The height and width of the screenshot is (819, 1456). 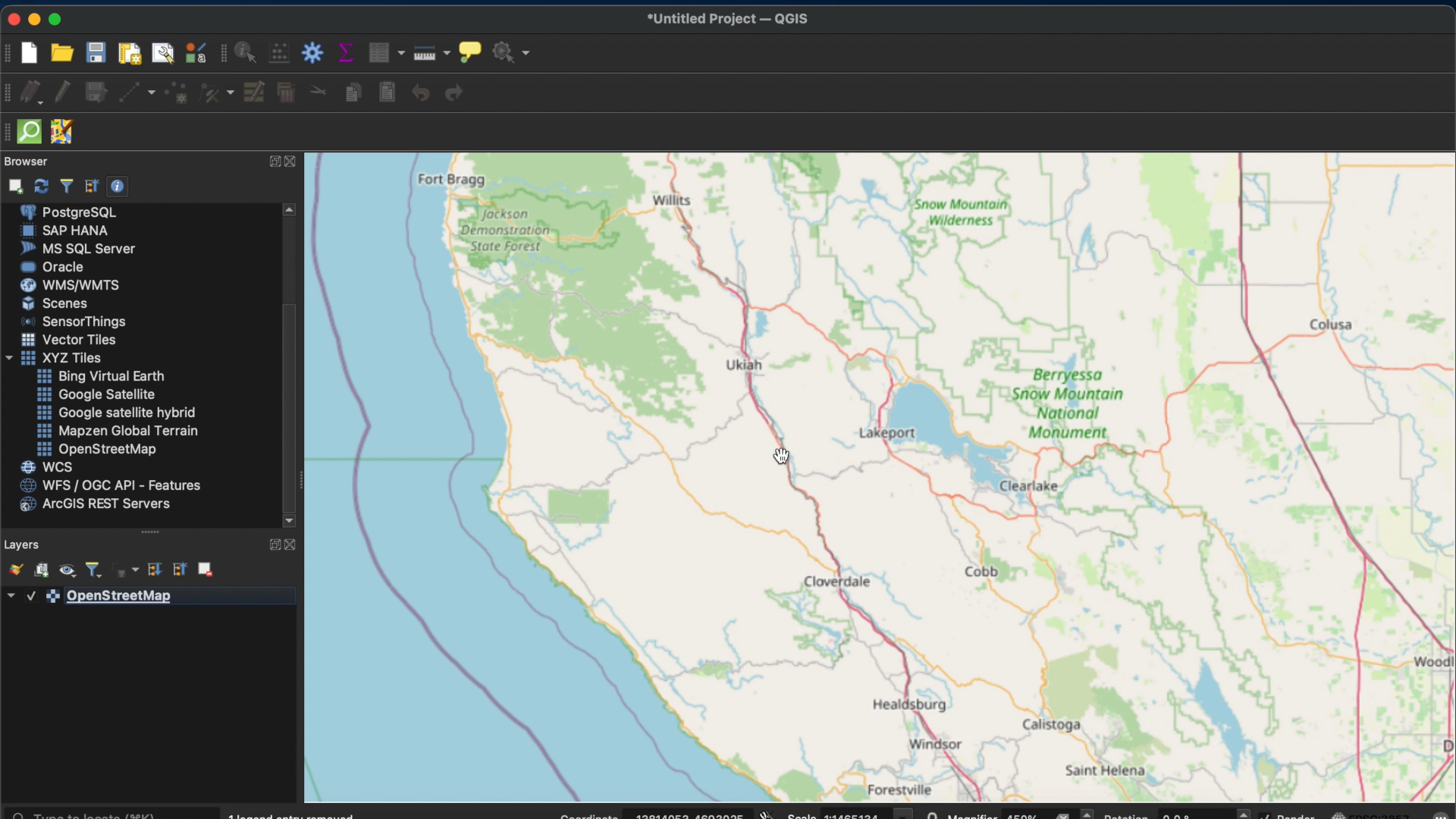 What do you see at coordinates (130, 52) in the screenshot?
I see `new print layout` at bounding box center [130, 52].